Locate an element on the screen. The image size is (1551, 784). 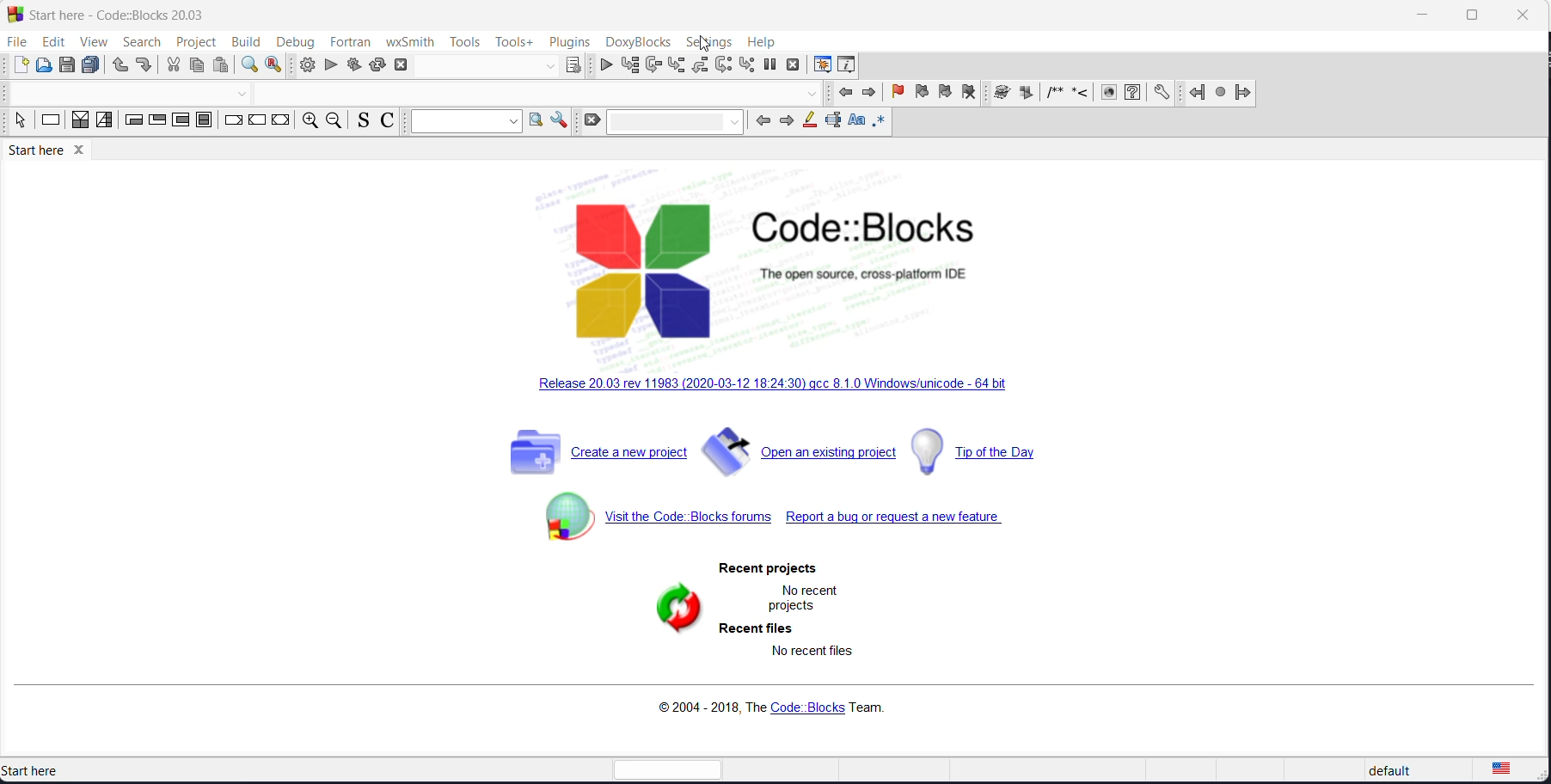
open is located at coordinates (45, 66).